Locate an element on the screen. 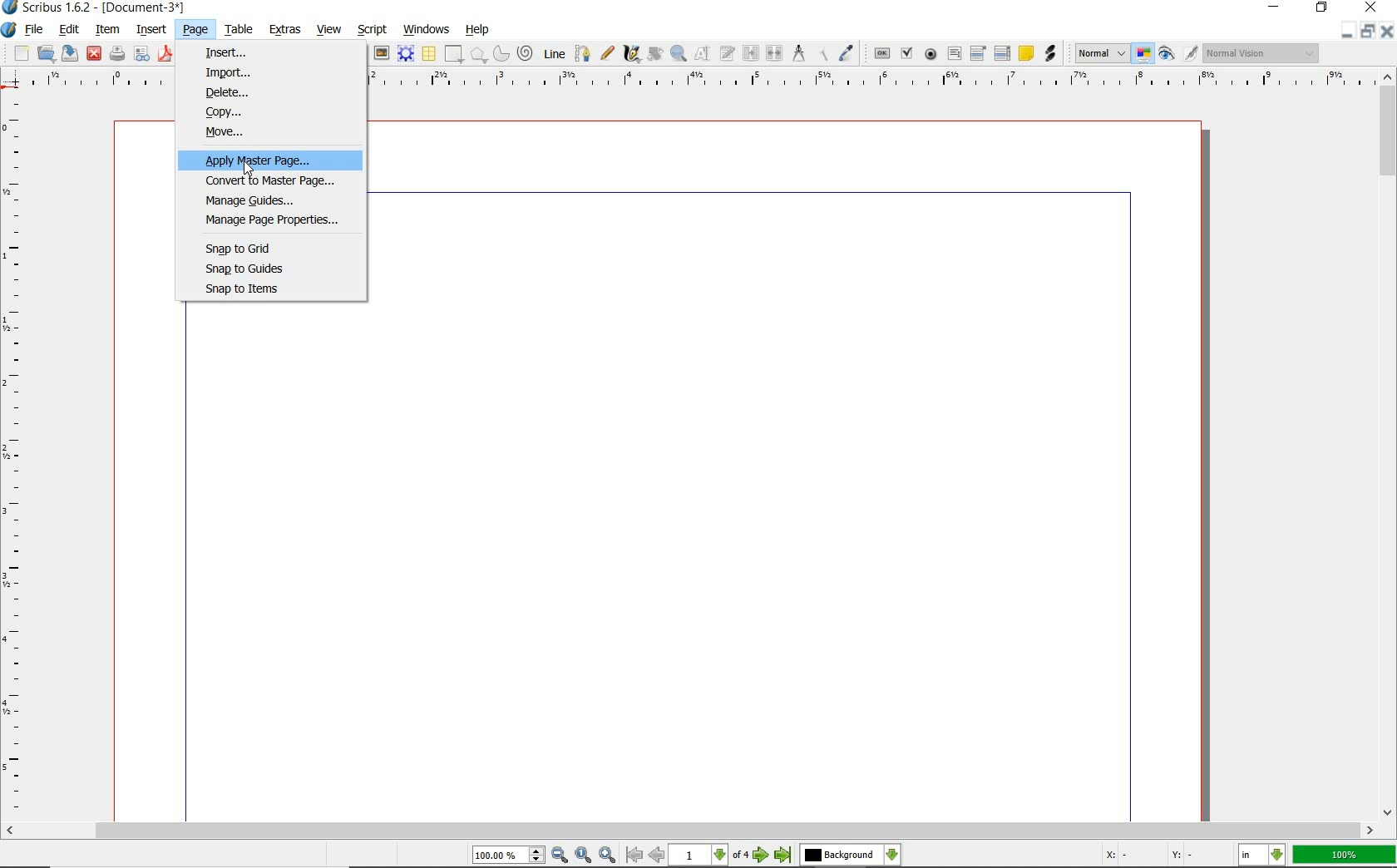  polygon is located at coordinates (477, 55).